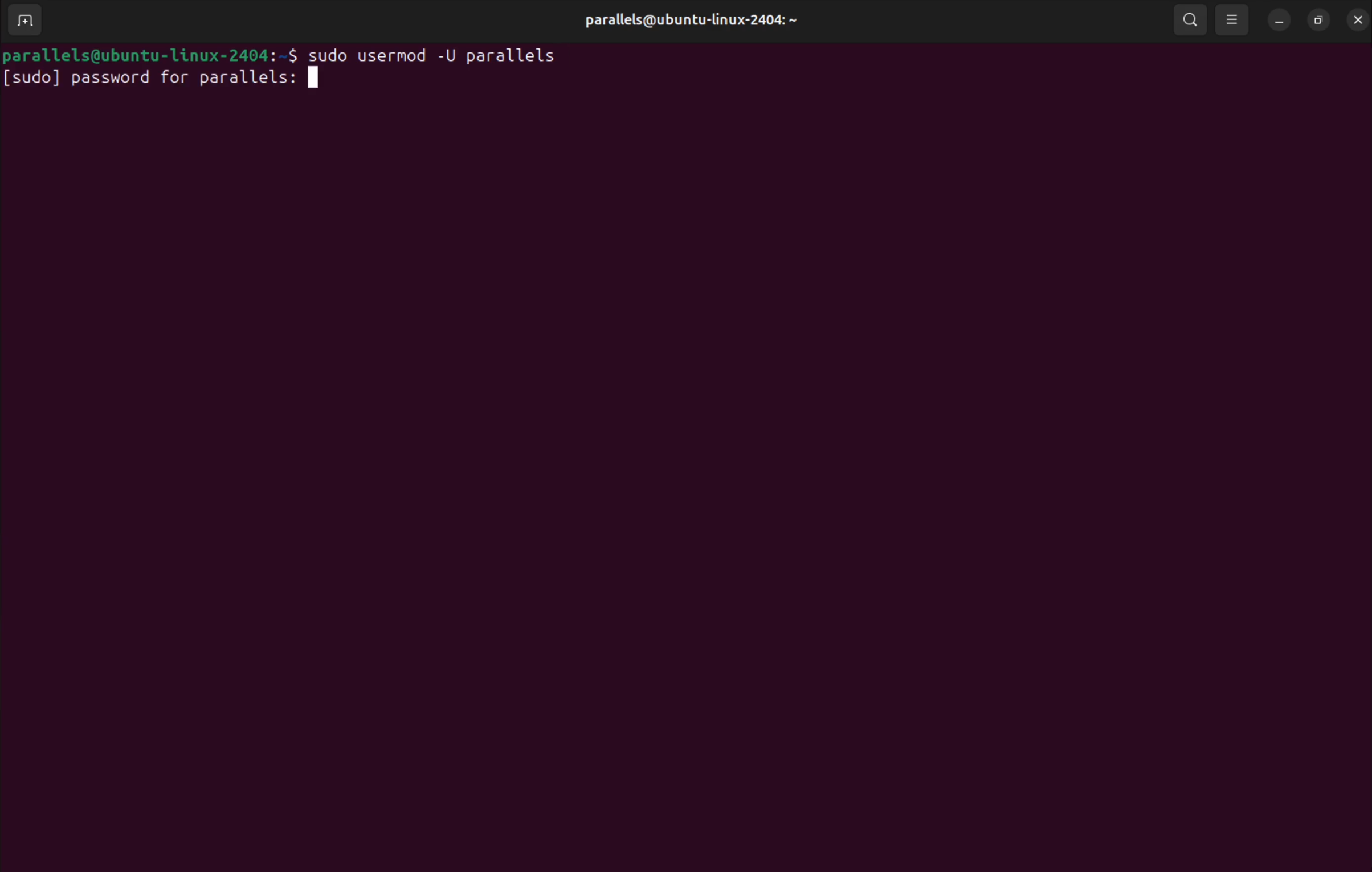 This screenshot has height=872, width=1372. I want to click on password for parallels, so click(165, 84).